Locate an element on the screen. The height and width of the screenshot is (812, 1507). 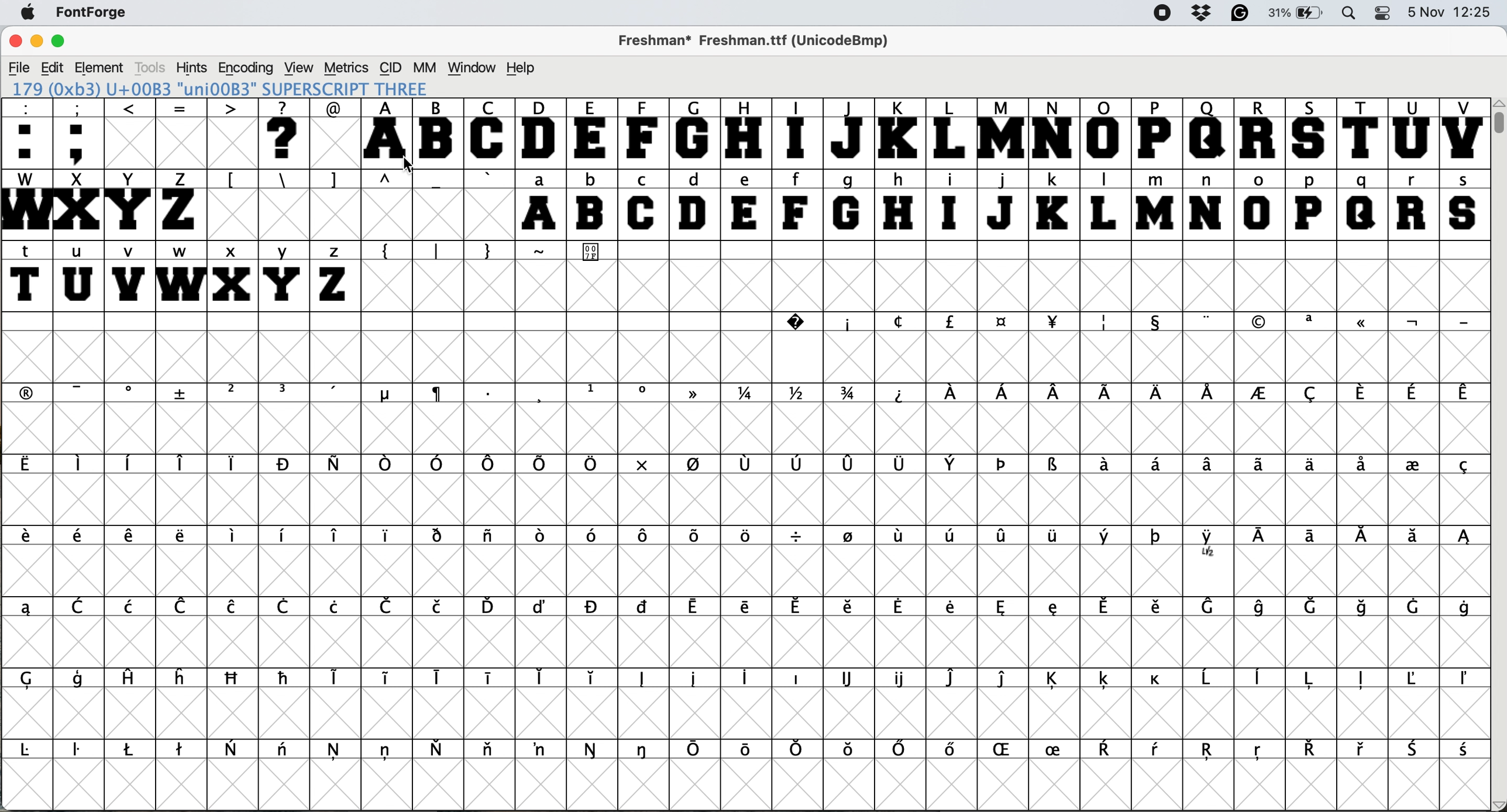
symbol is located at coordinates (285, 752).